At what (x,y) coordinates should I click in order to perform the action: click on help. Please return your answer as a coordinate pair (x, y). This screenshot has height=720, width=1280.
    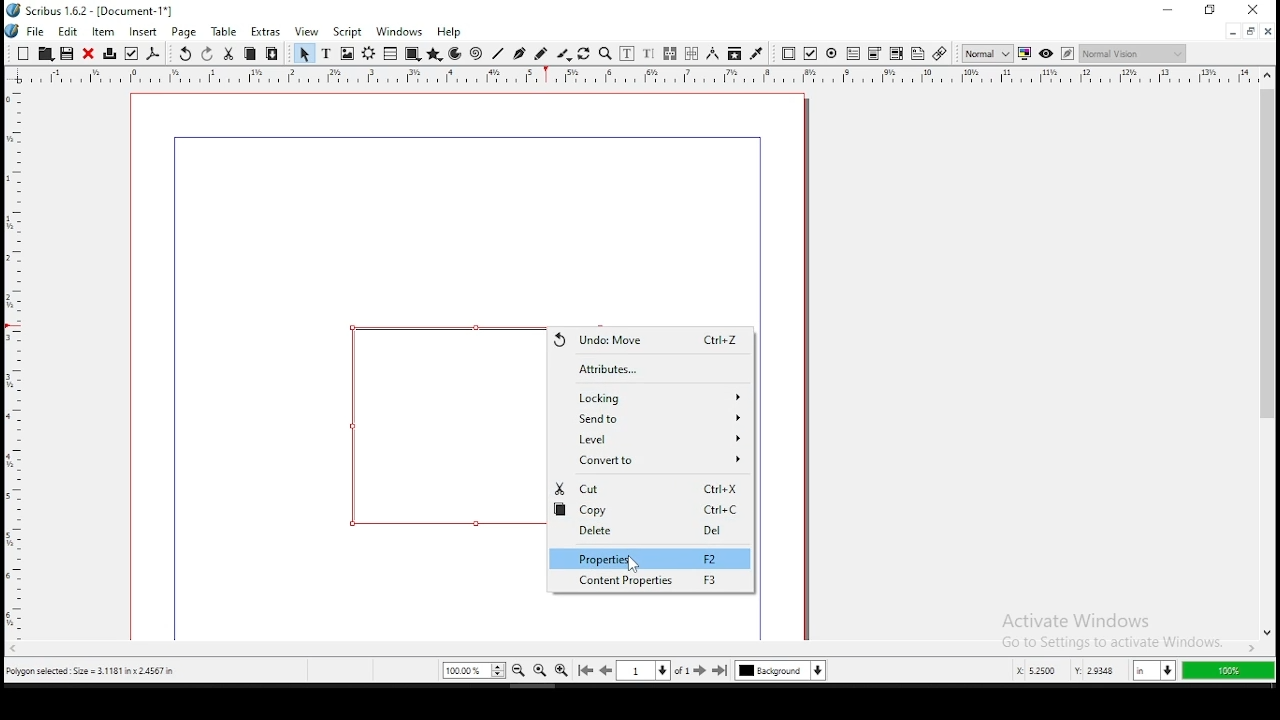
    Looking at the image, I should click on (449, 32).